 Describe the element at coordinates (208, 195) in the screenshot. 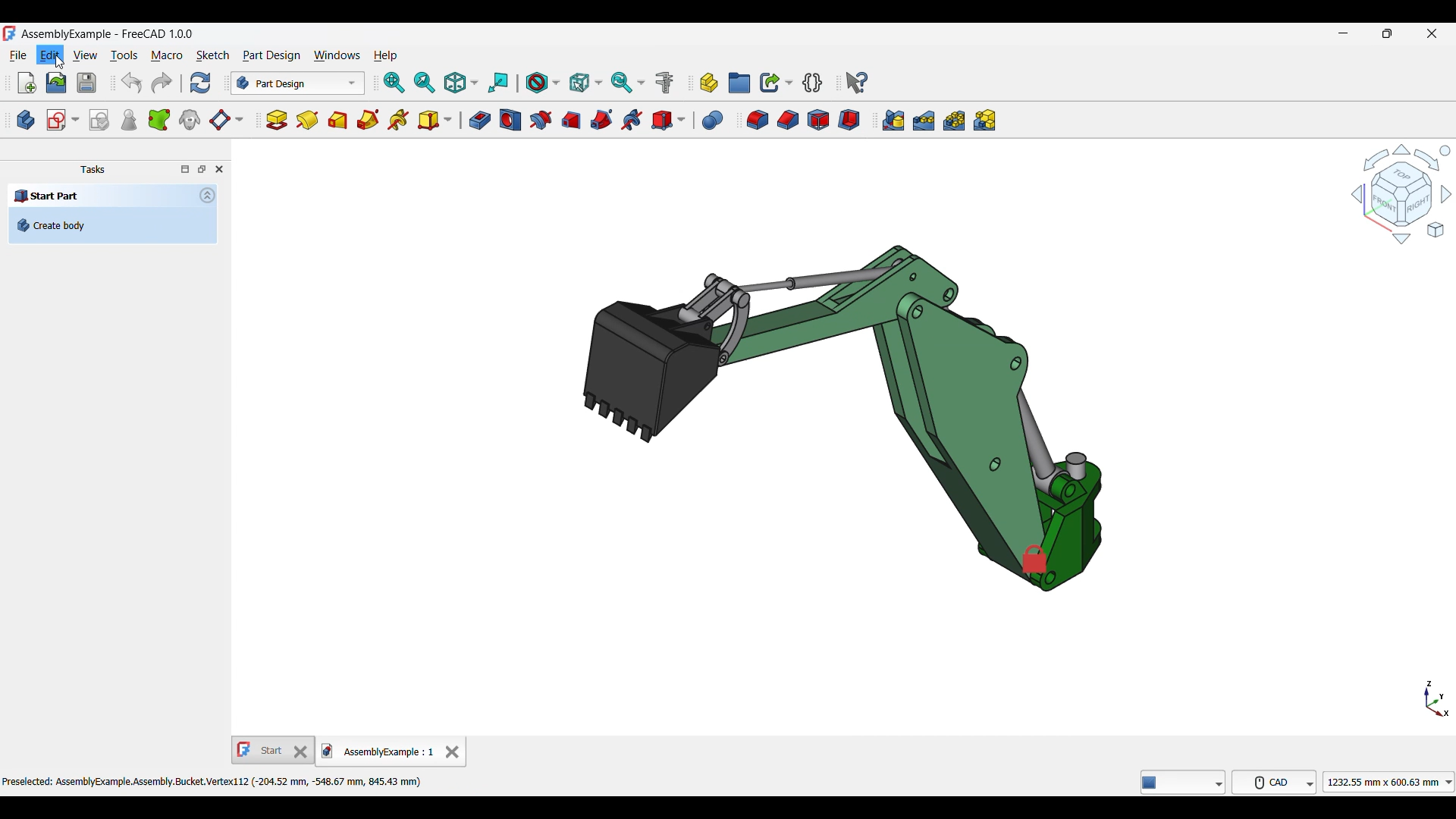

I see `Collapse` at that location.